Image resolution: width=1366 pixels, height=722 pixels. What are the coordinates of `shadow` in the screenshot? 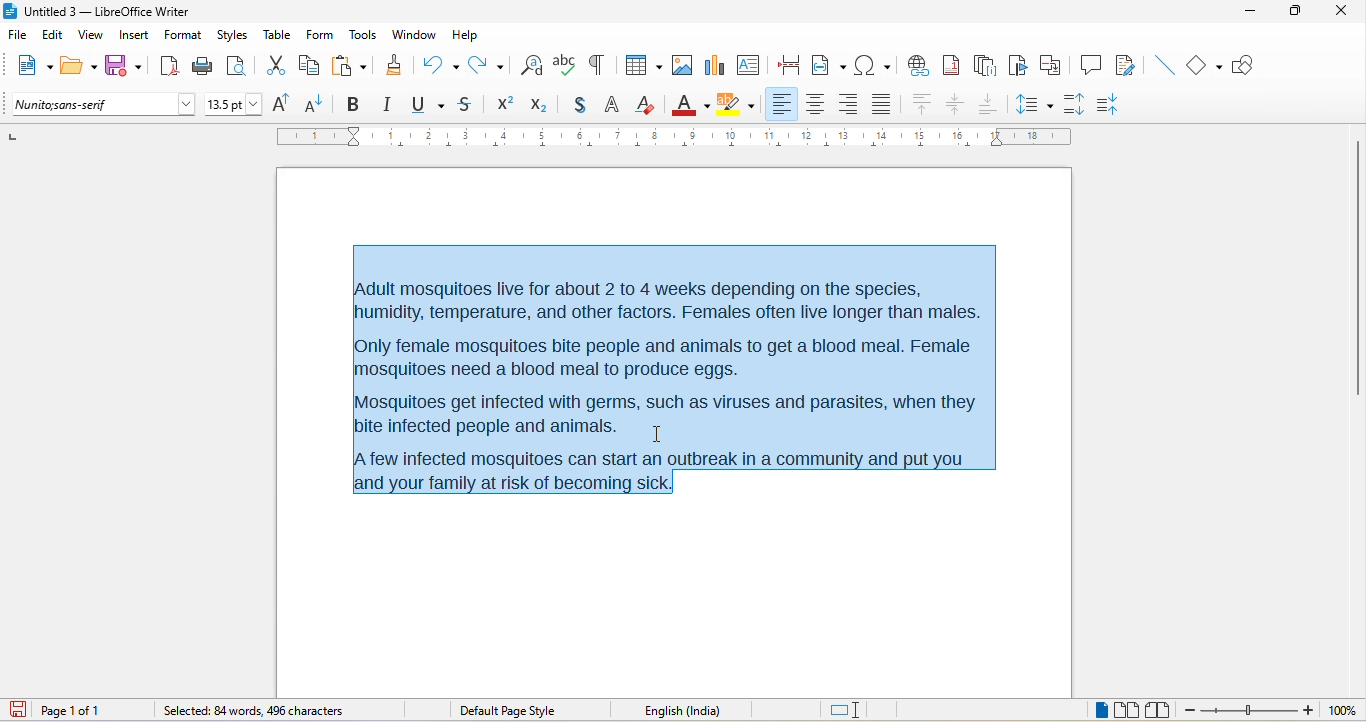 It's located at (579, 106).